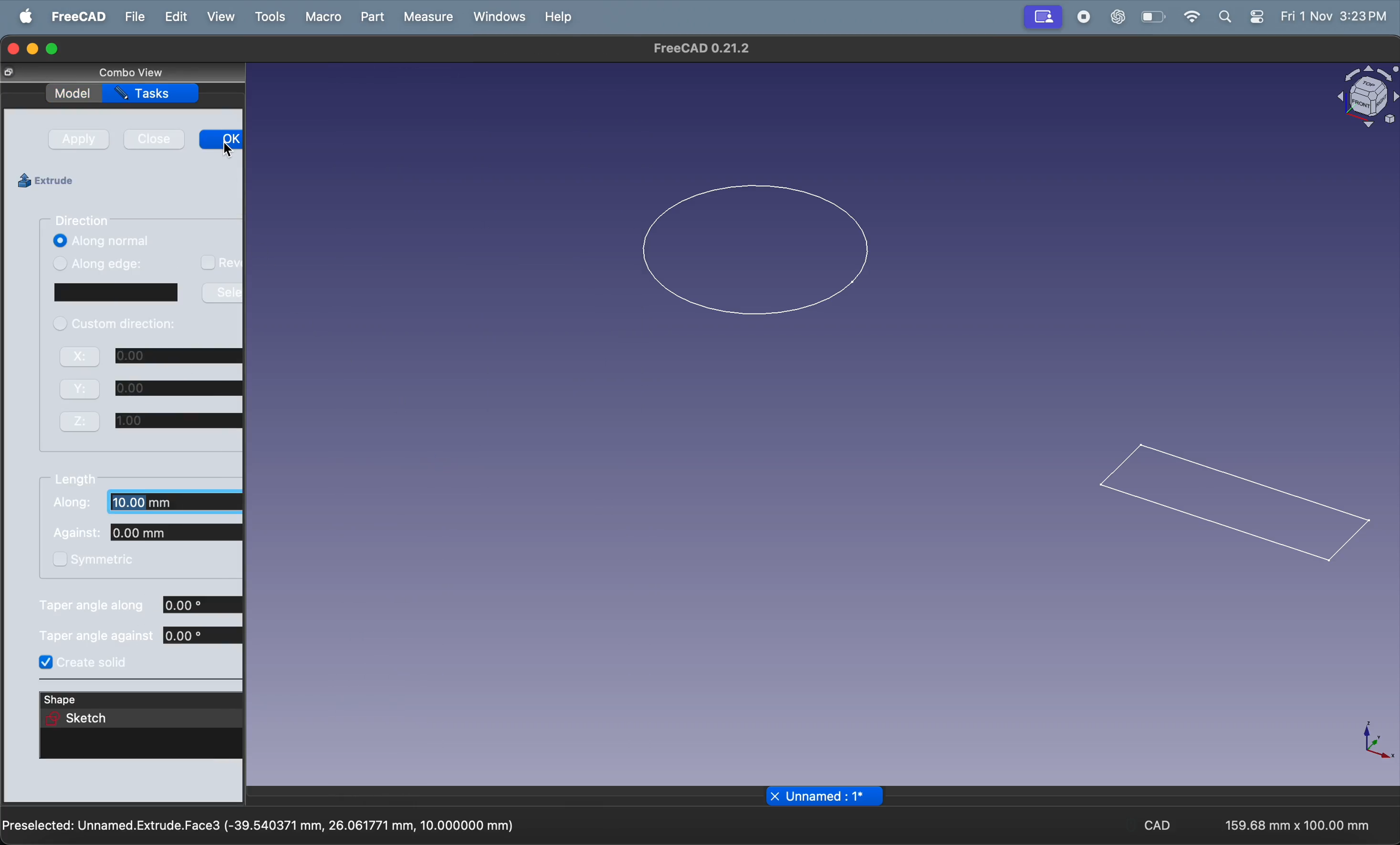 This screenshot has width=1400, height=845. Describe the element at coordinates (1288, 825) in the screenshot. I see `159.68 mm x 100.00 mm` at that location.